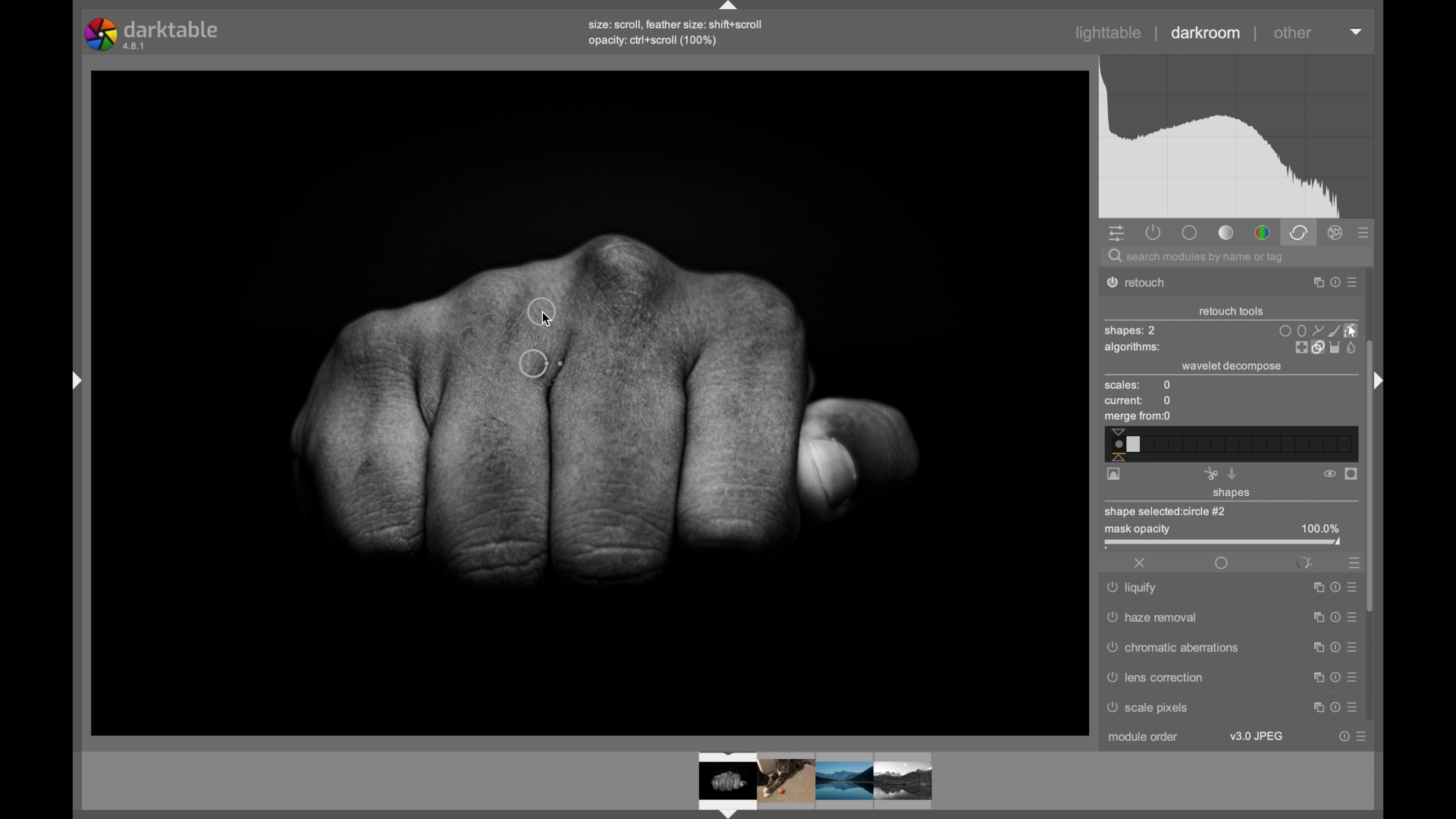 The height and width of the screenshot is (819, 1456). Describe the element at coordinates (1227, 233) in the screenshot. I see `tone` at that location.